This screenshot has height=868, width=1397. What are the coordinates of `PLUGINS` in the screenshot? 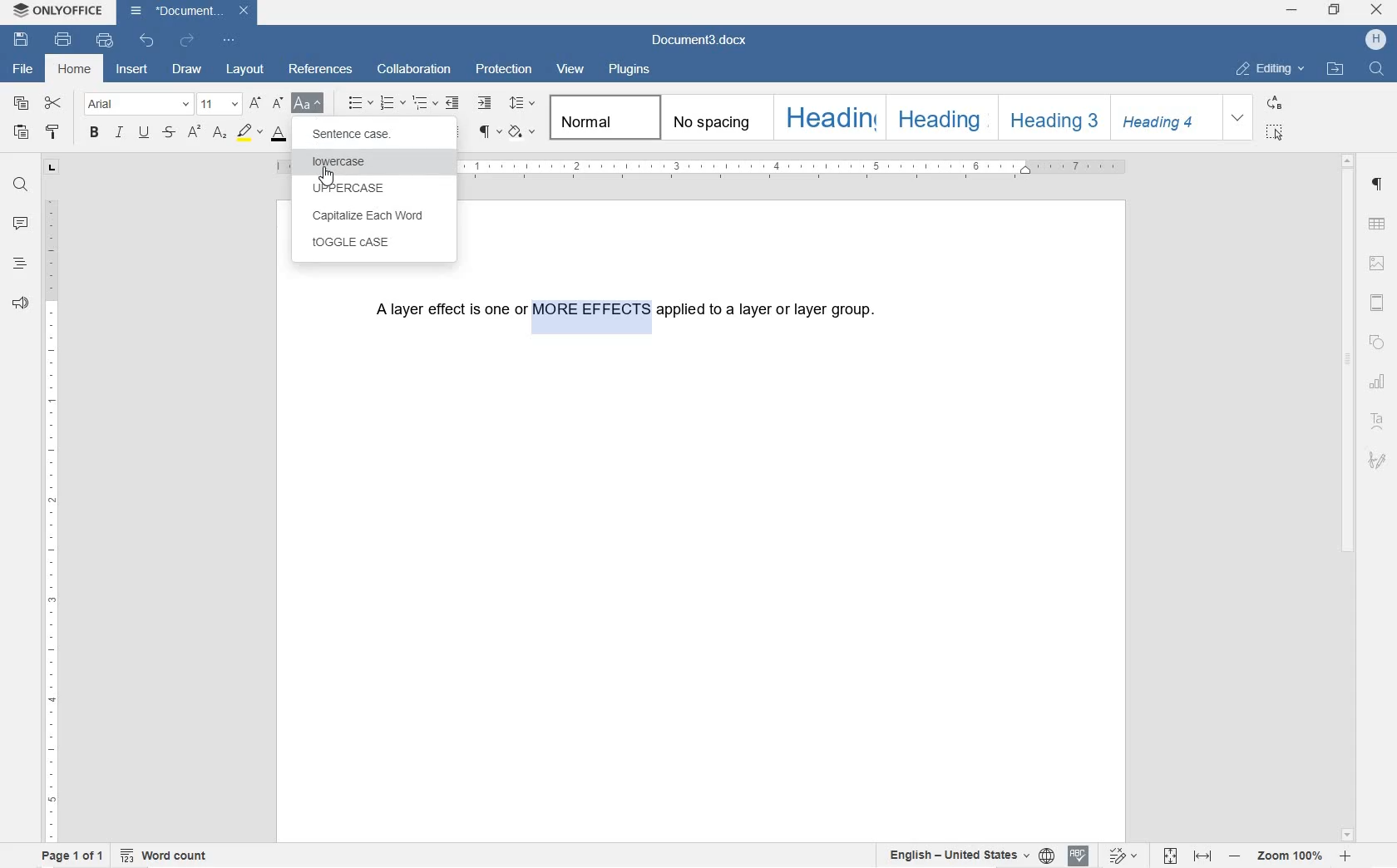 It's located at (629, 71).